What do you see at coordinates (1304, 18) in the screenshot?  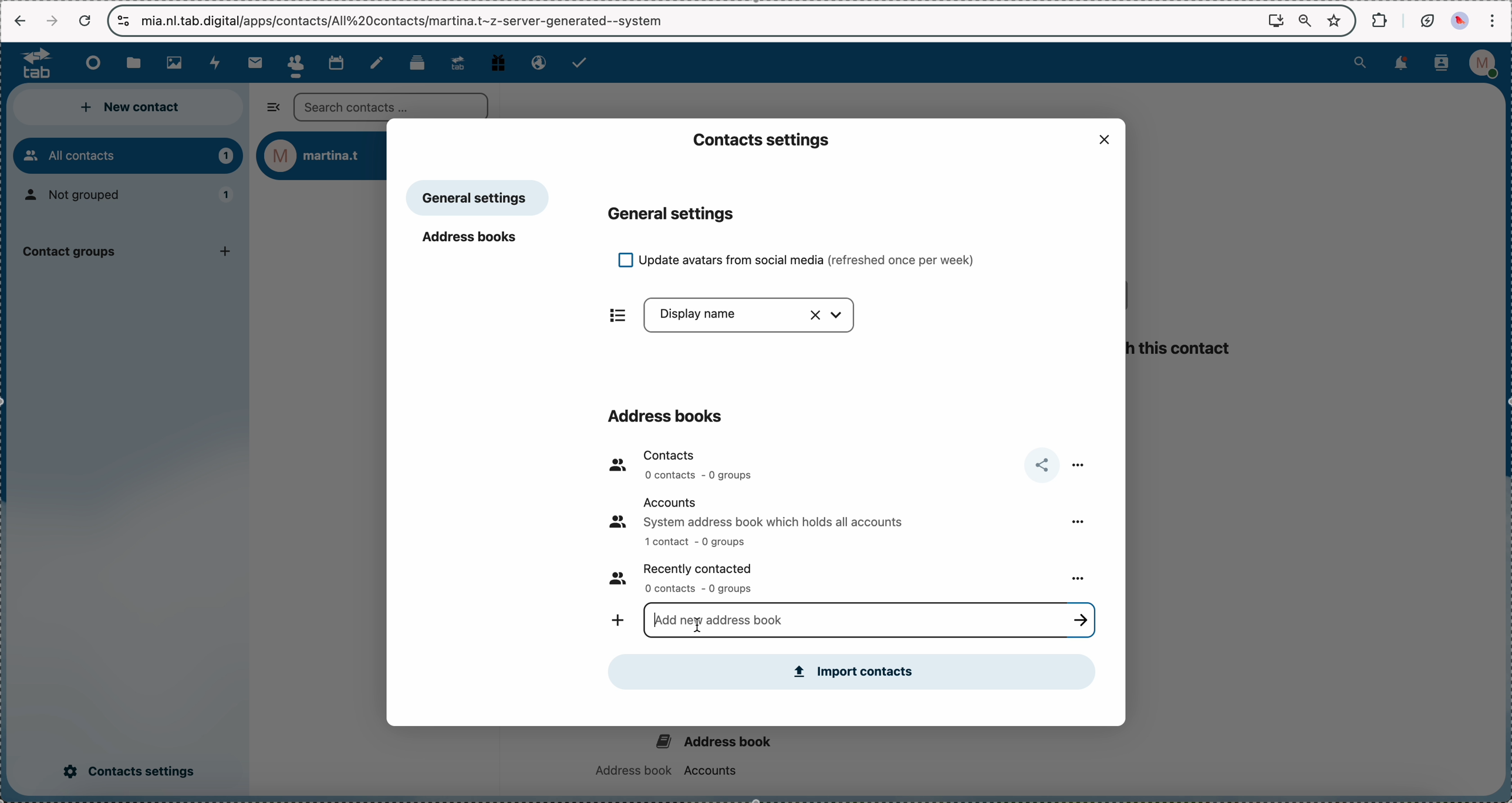 I see `zoom out` at bounding box center [1304, 18].